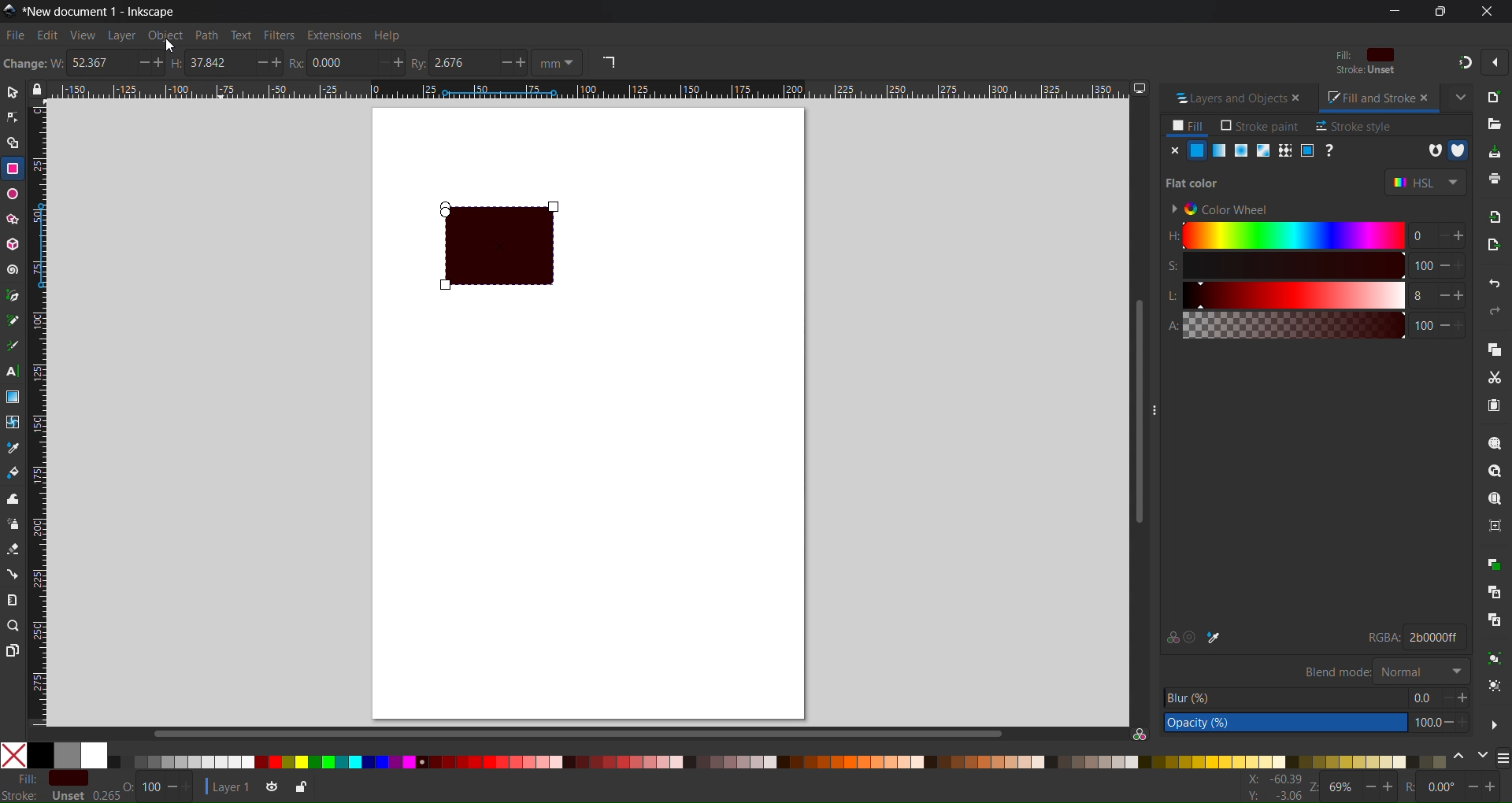 Image resolution: width=1512 pixels, height=803 pixels. I want to click on Pick colors of image, so click(1215, 637).